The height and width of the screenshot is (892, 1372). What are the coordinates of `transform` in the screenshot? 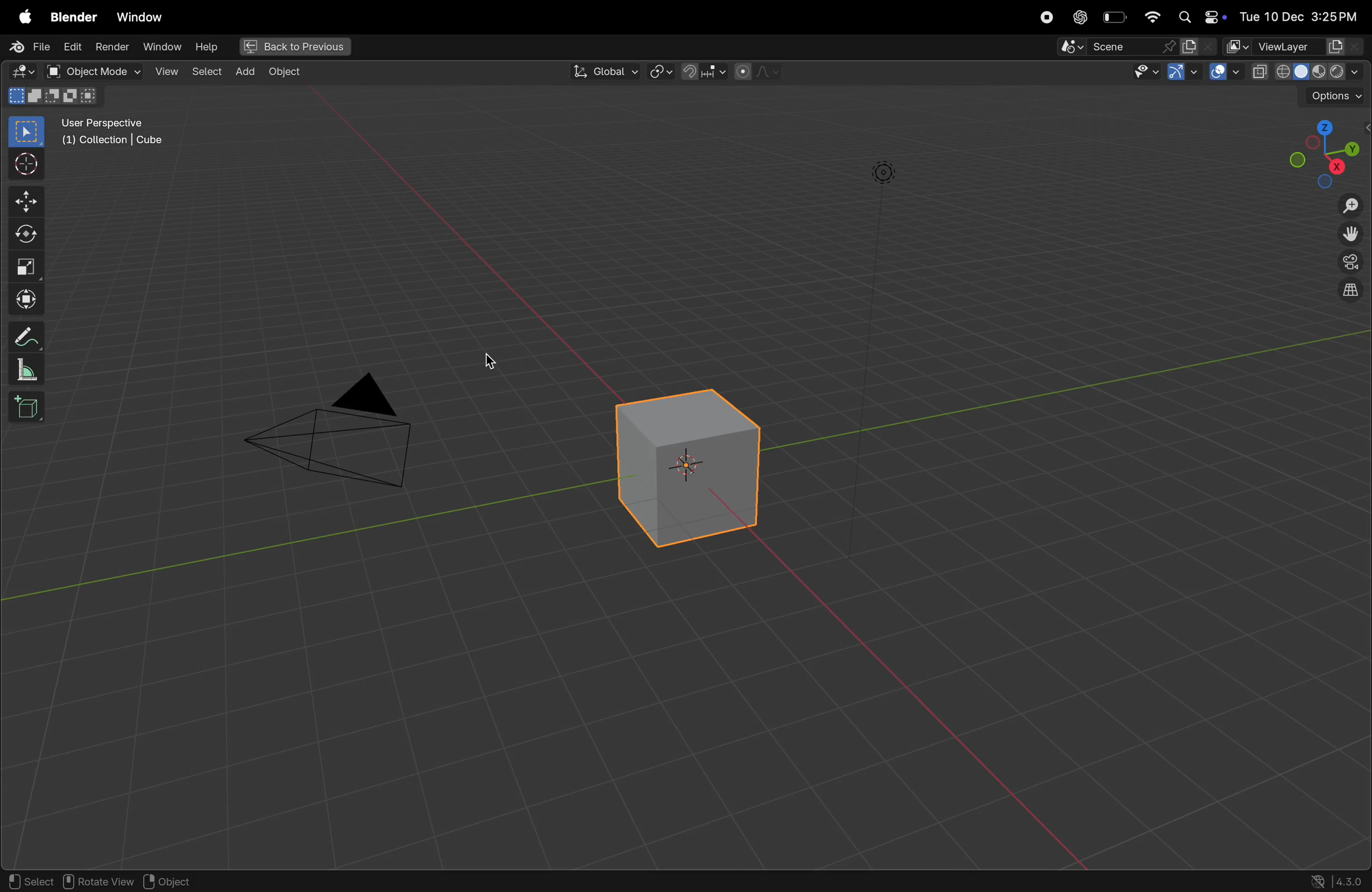 It's located at (22, 300).